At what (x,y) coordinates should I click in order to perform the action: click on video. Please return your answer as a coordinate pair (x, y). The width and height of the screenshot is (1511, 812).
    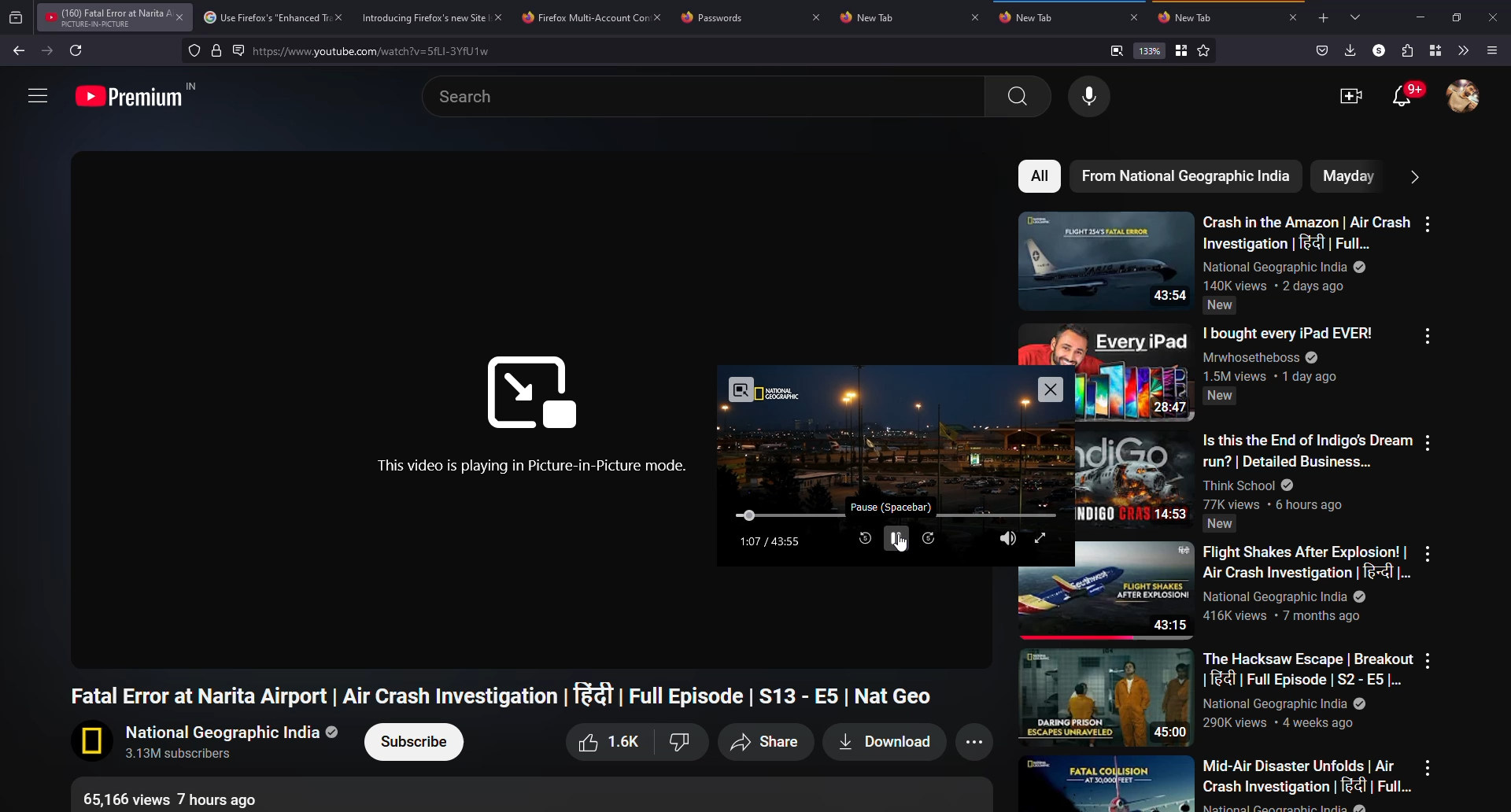
    Looking at the image, I should click on (1351, 96).